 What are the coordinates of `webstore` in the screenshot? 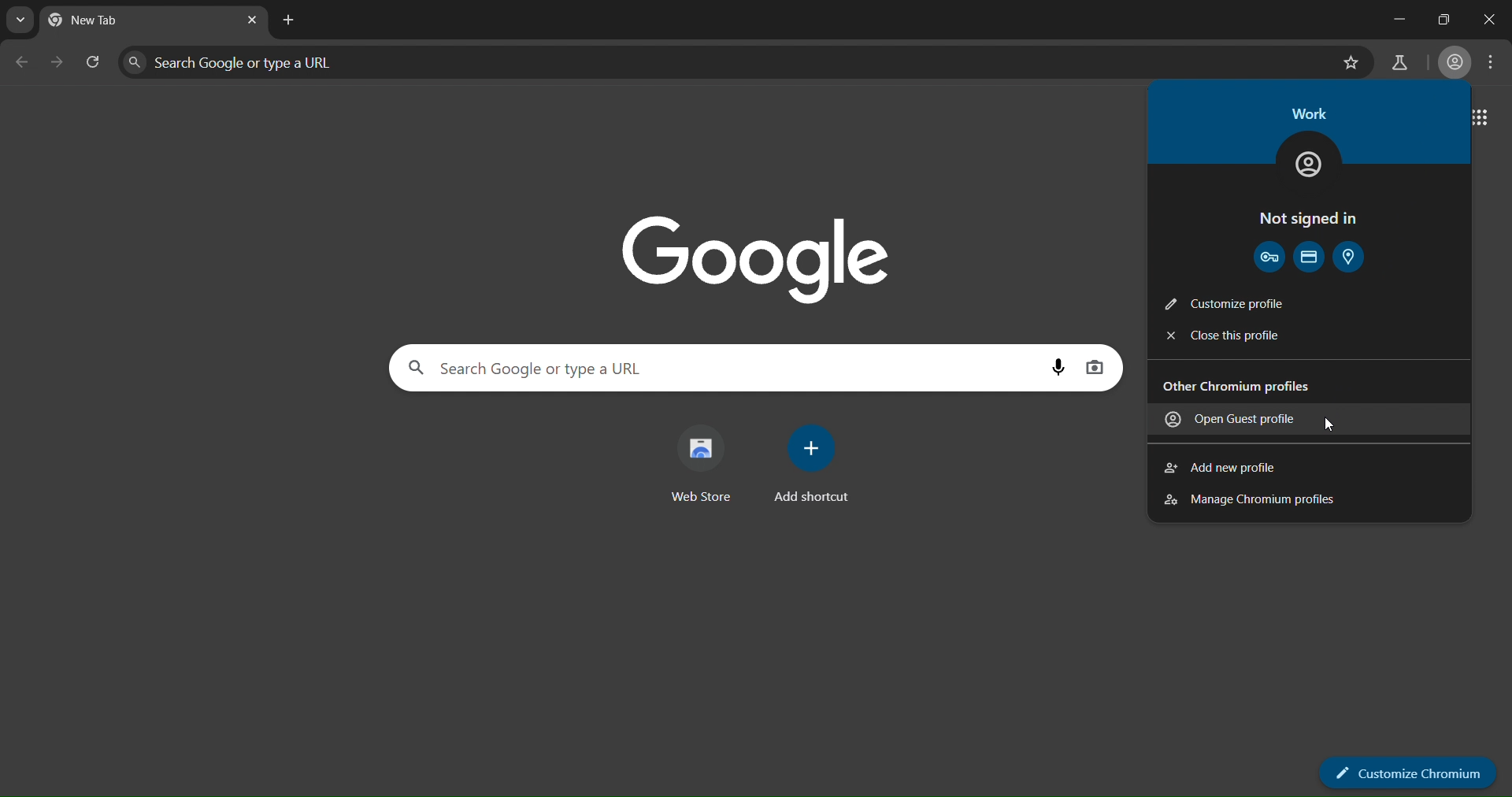 It's located at (705, 465).